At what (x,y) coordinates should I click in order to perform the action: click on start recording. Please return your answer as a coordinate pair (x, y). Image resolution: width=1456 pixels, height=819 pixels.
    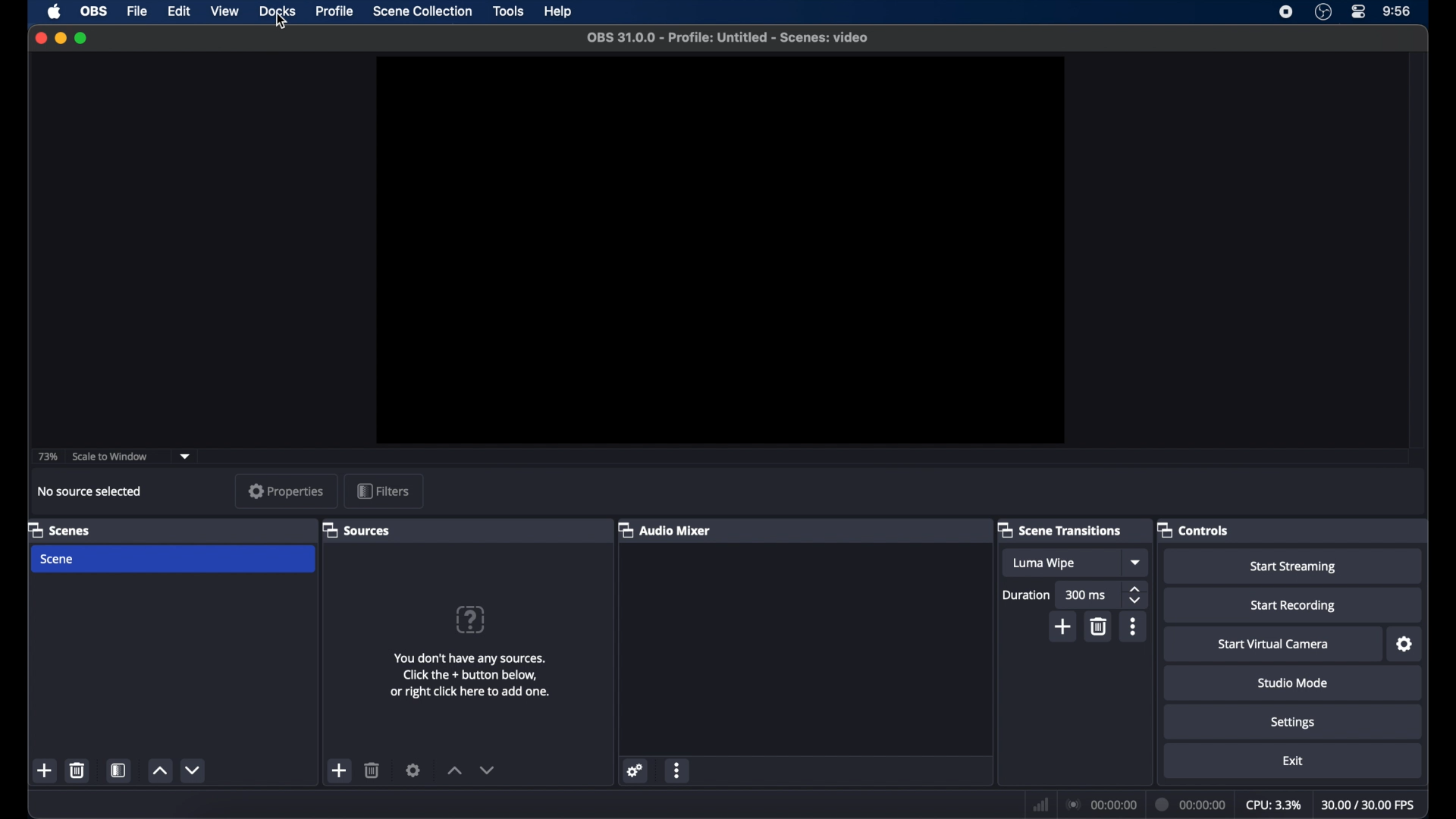
    Looking at the image, I should click on (1293, 604).